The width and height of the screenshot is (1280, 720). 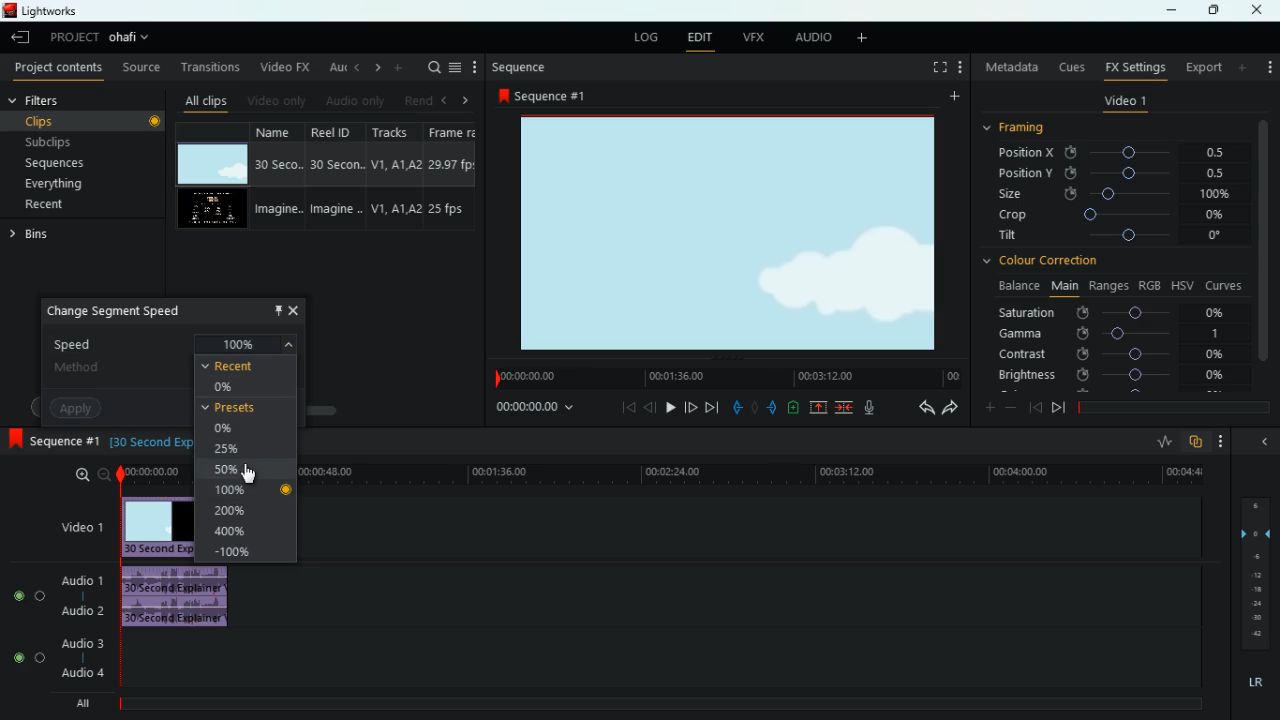 What do you see at coordinates (398, 67) in the screenshot?
I see `more` at bounding box center [398, 67].